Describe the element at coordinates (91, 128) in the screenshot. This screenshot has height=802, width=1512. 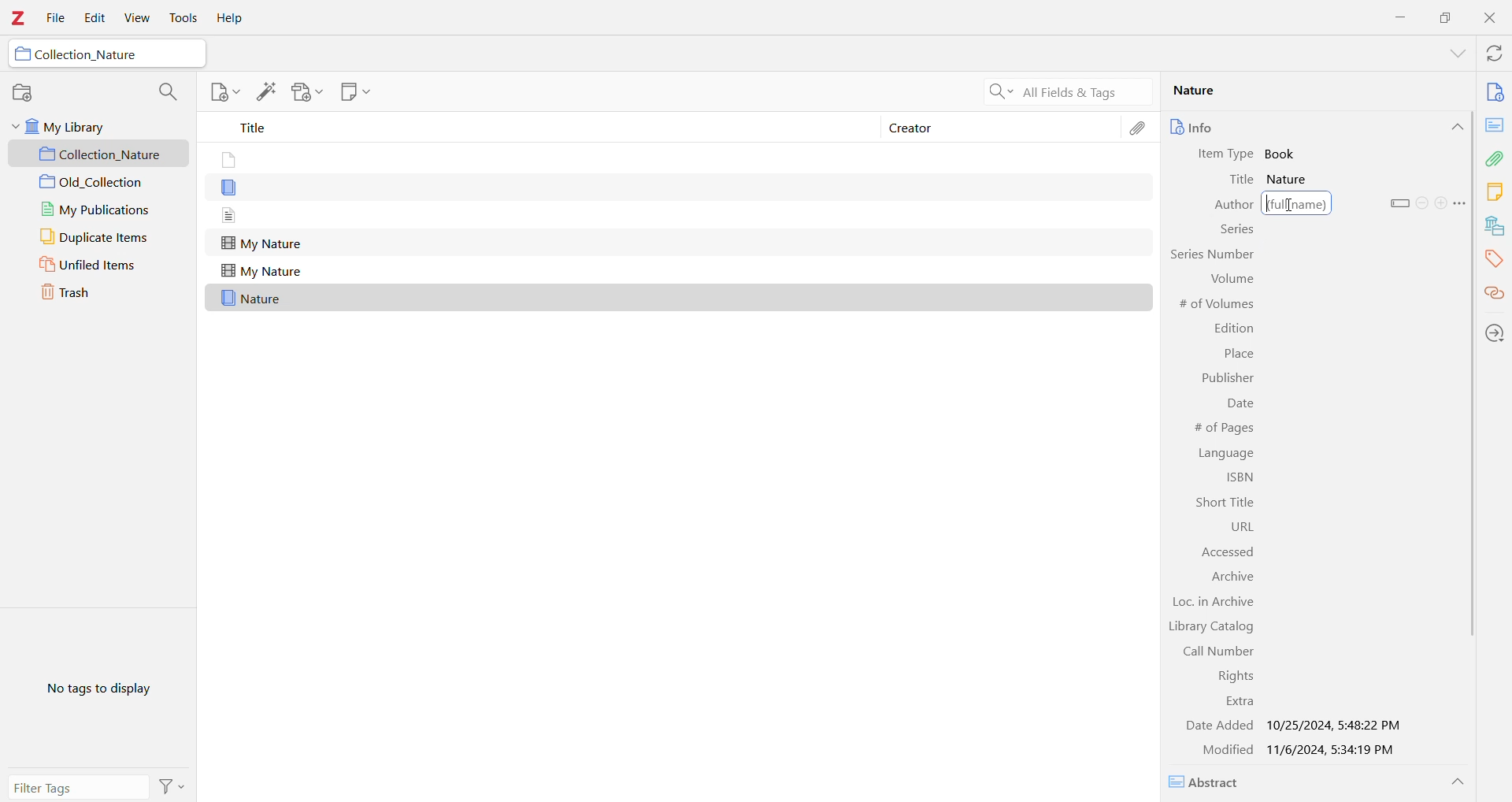
I see `My Library` at that location.